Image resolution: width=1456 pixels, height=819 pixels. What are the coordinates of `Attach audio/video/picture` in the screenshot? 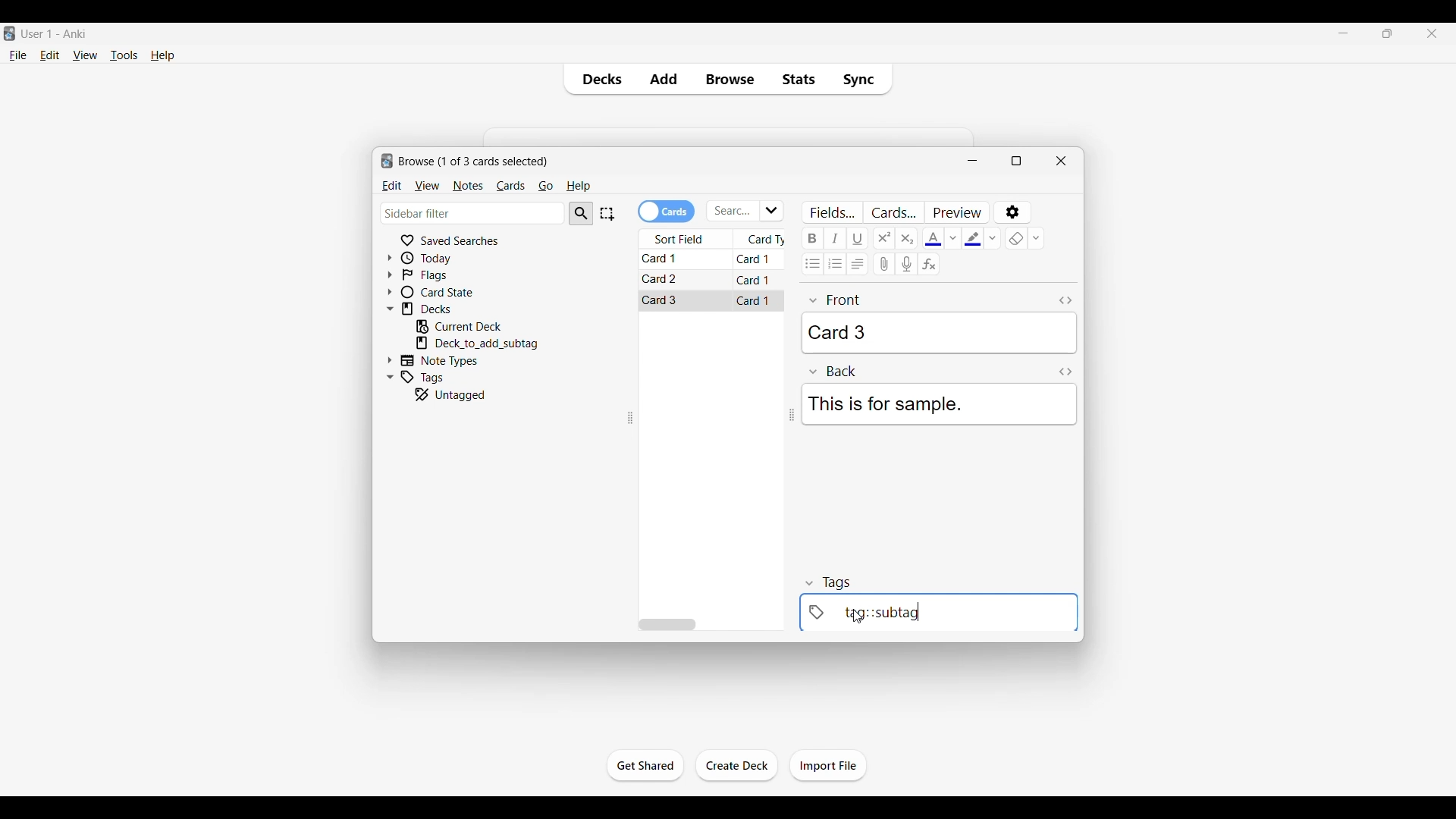 It's located at (883, 264).